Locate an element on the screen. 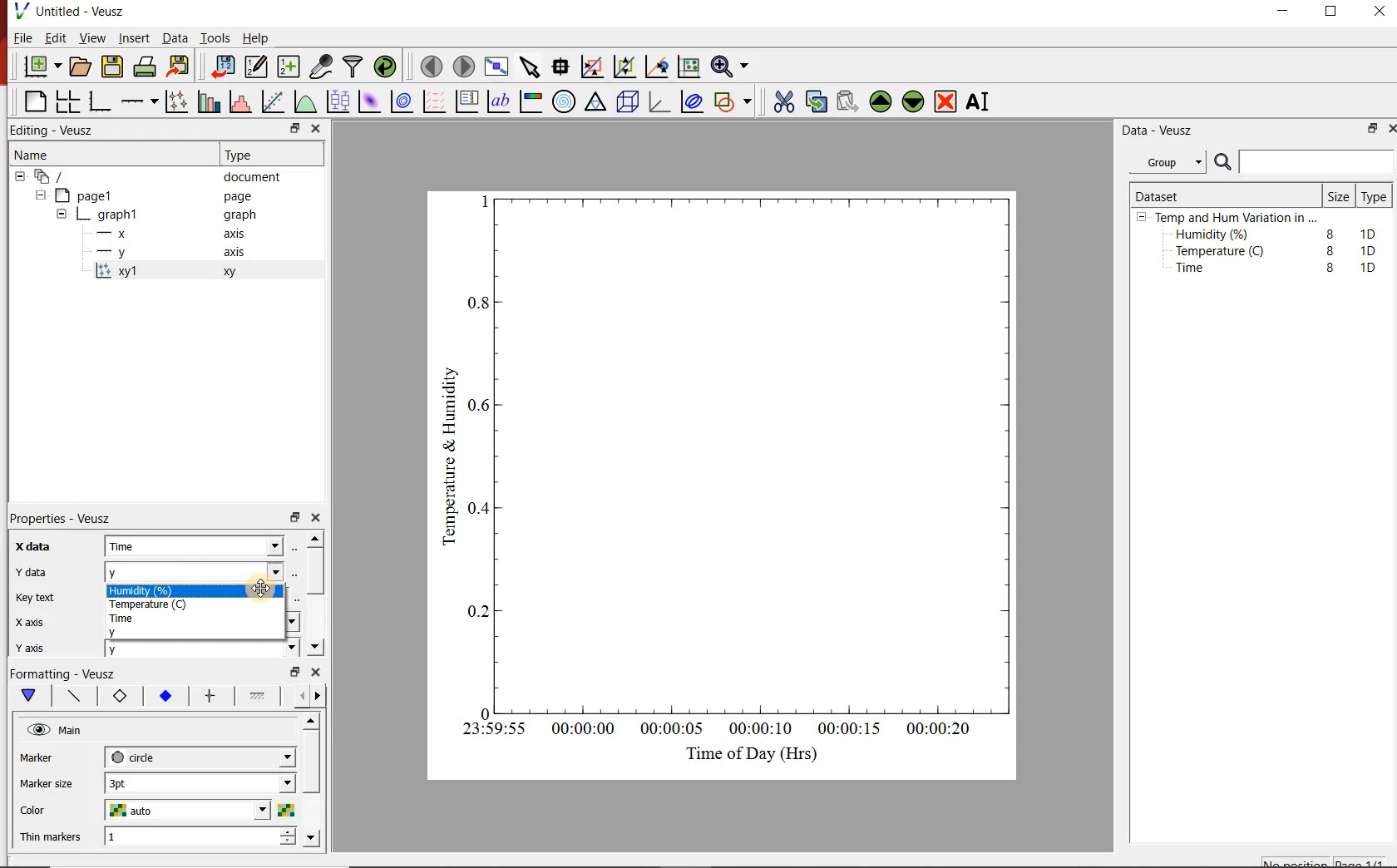 The width and height of the screenshot is (1397, 868). graph is located at coordinates (119, 214).